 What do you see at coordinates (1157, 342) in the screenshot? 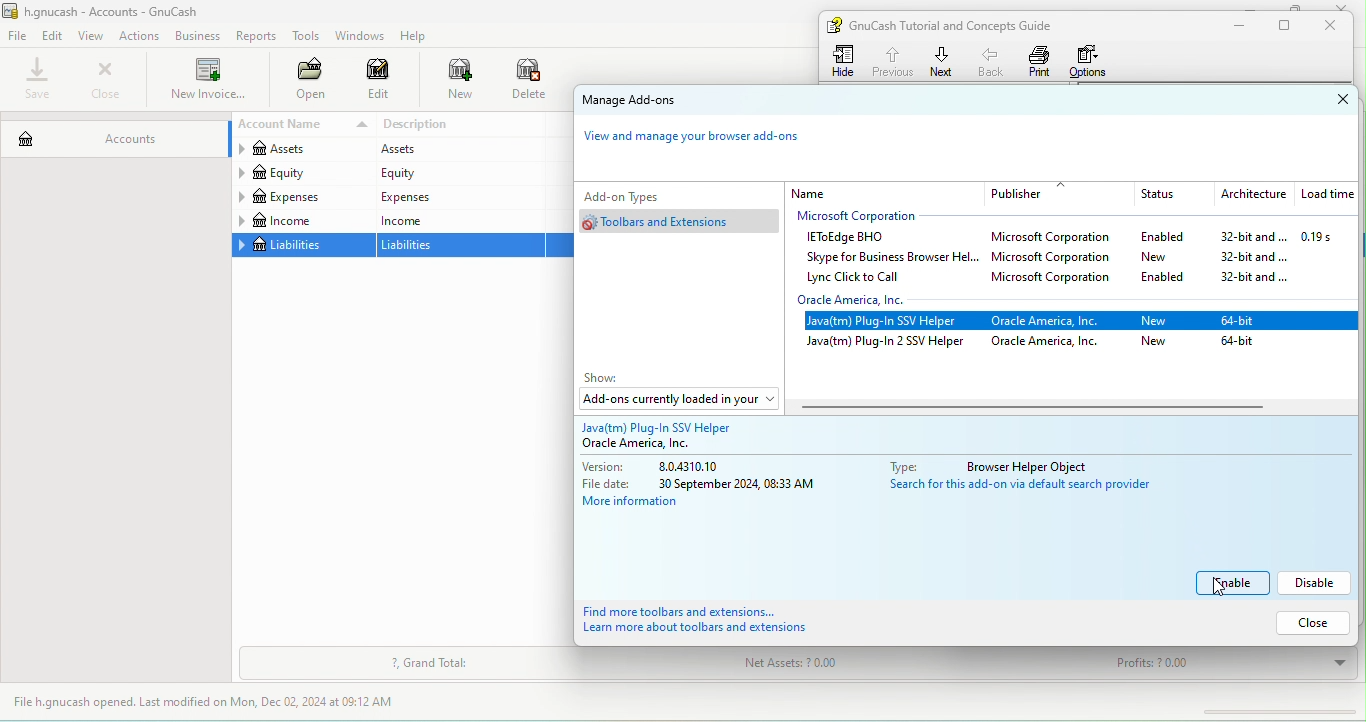
I see `new` at bounding box center [1157, 342].